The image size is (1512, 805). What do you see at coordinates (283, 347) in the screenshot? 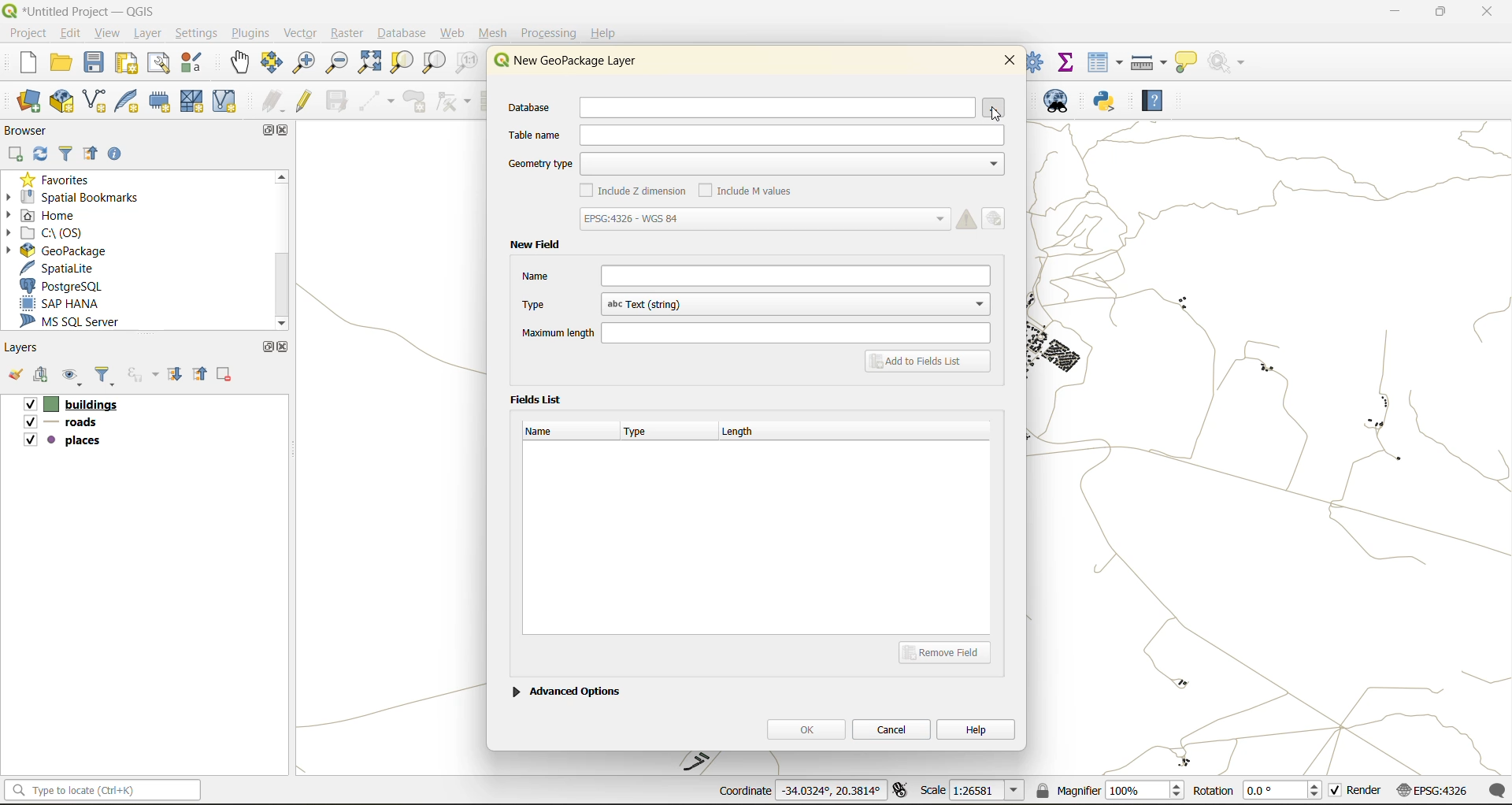
I see `close` at bounding box center [283, 347].